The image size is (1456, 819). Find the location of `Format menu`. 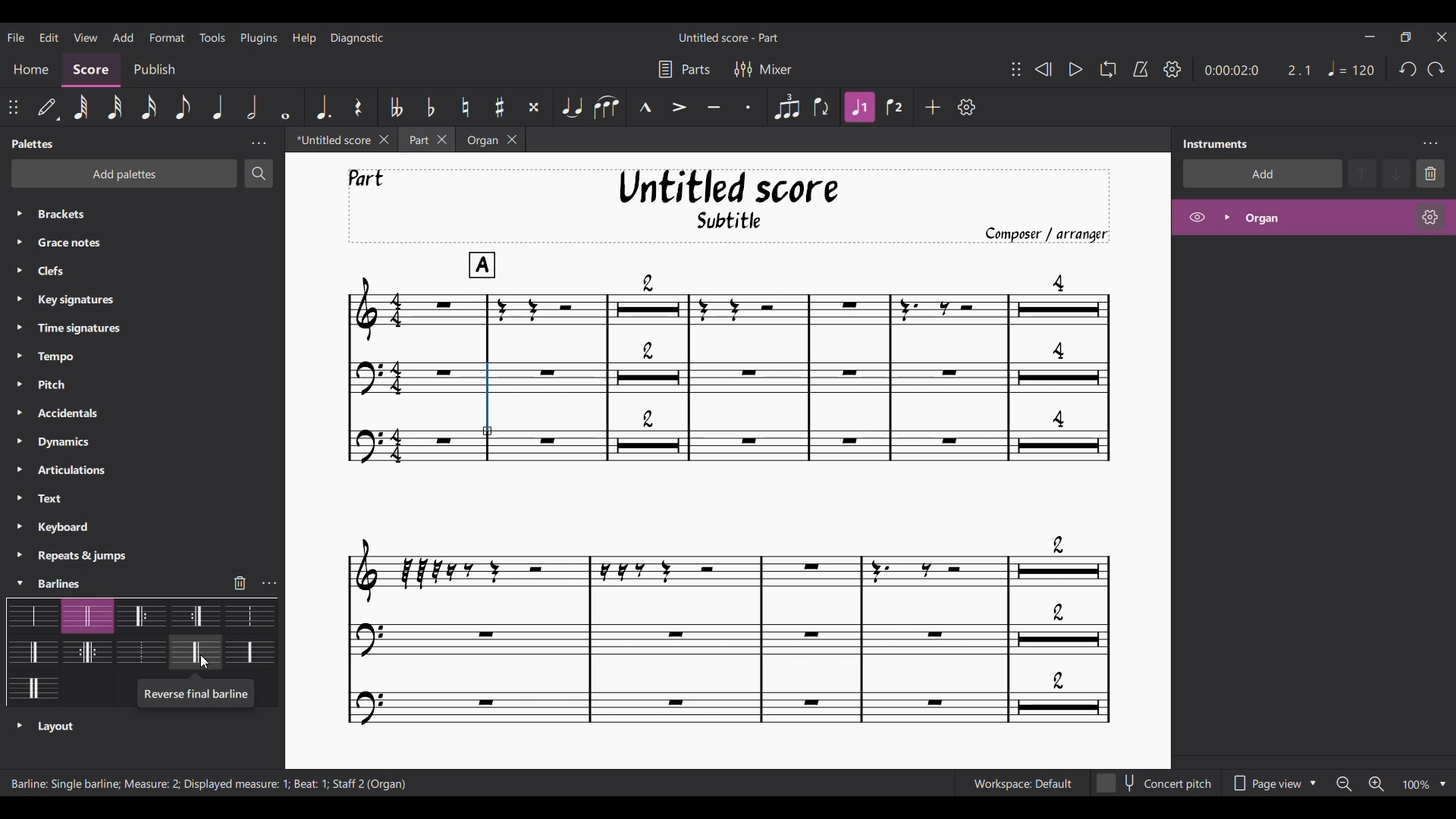

Format menu is located at coordinates (168, 37).